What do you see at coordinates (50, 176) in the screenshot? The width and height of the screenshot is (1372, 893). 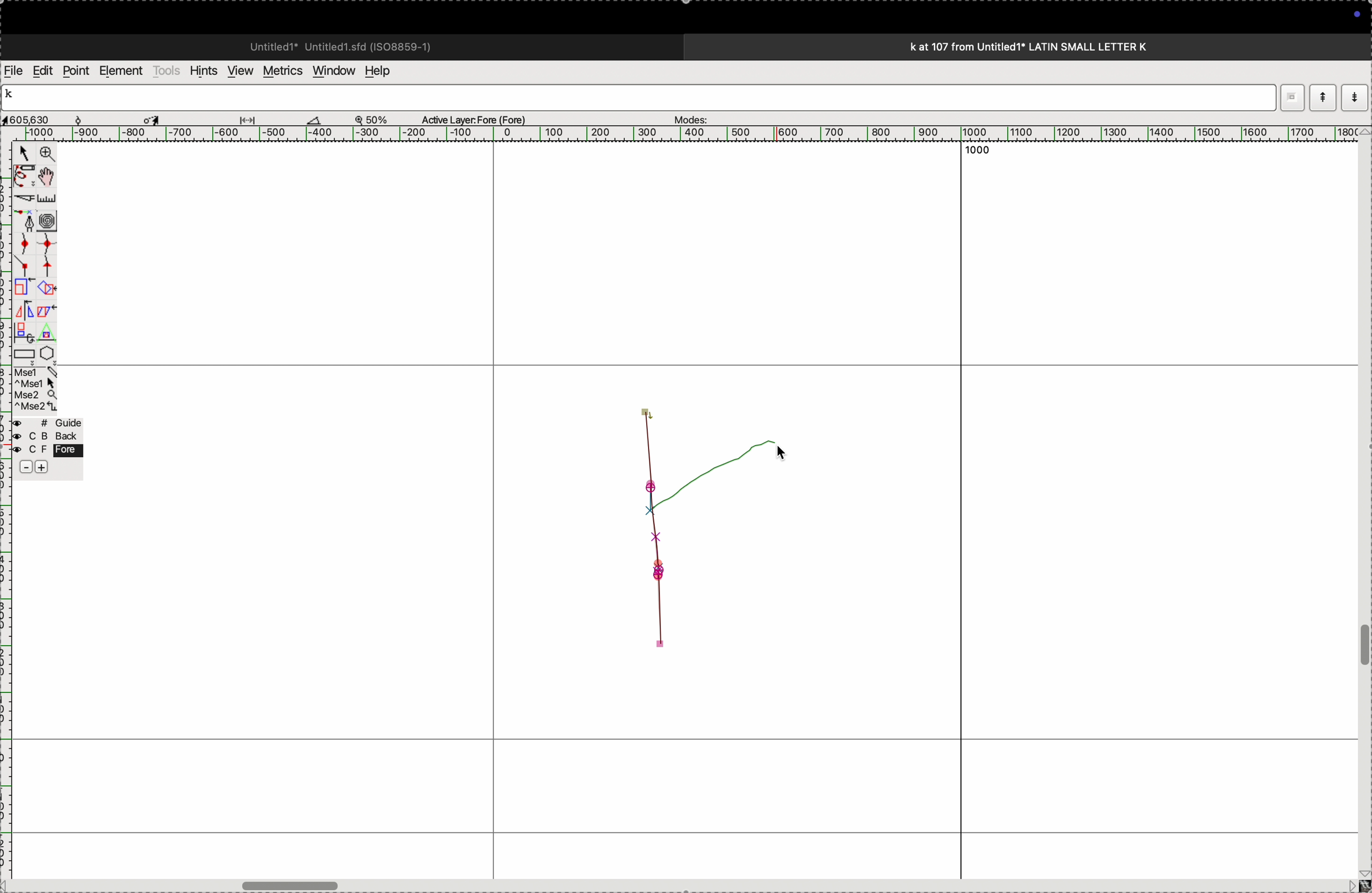 I see `toggle` at bounding box center [50, 176].